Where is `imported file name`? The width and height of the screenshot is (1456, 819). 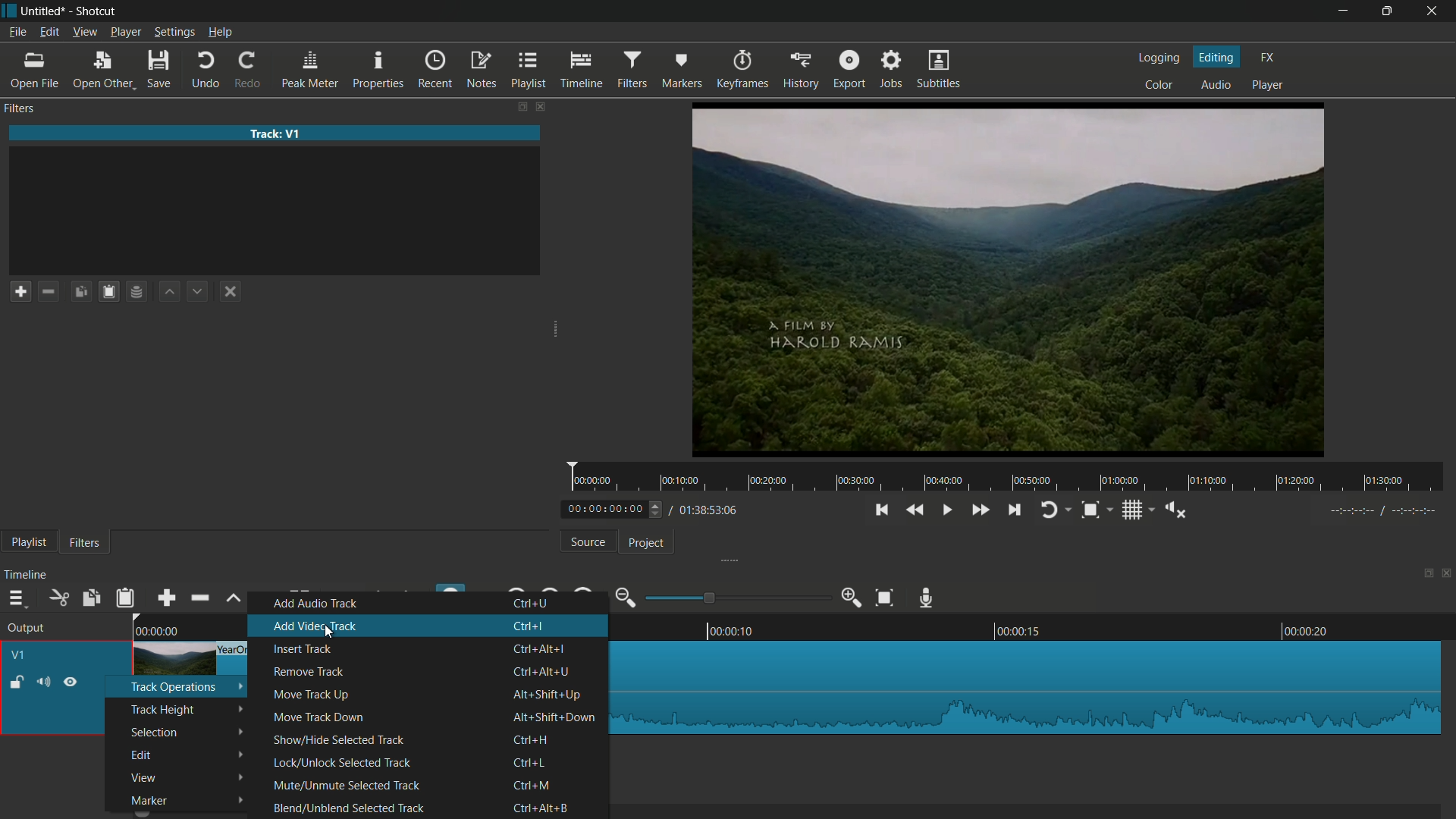 imported file name is located at coordinates (271, 134).